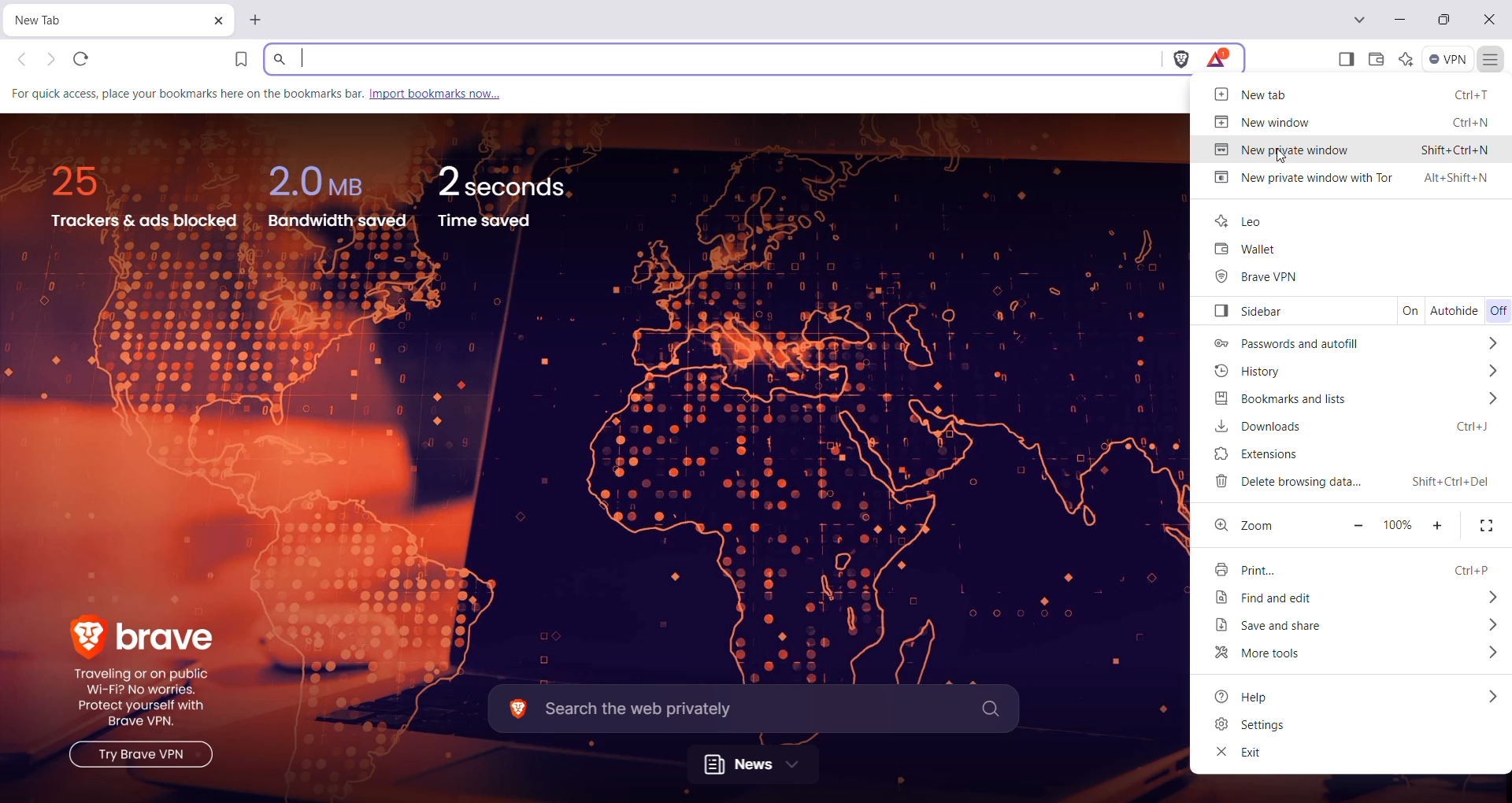 The height and width of the screenshot is (803, 1512). Describe the element at coordinates (1285, 599) in the screenshot. I see `Find and edit` at that location.